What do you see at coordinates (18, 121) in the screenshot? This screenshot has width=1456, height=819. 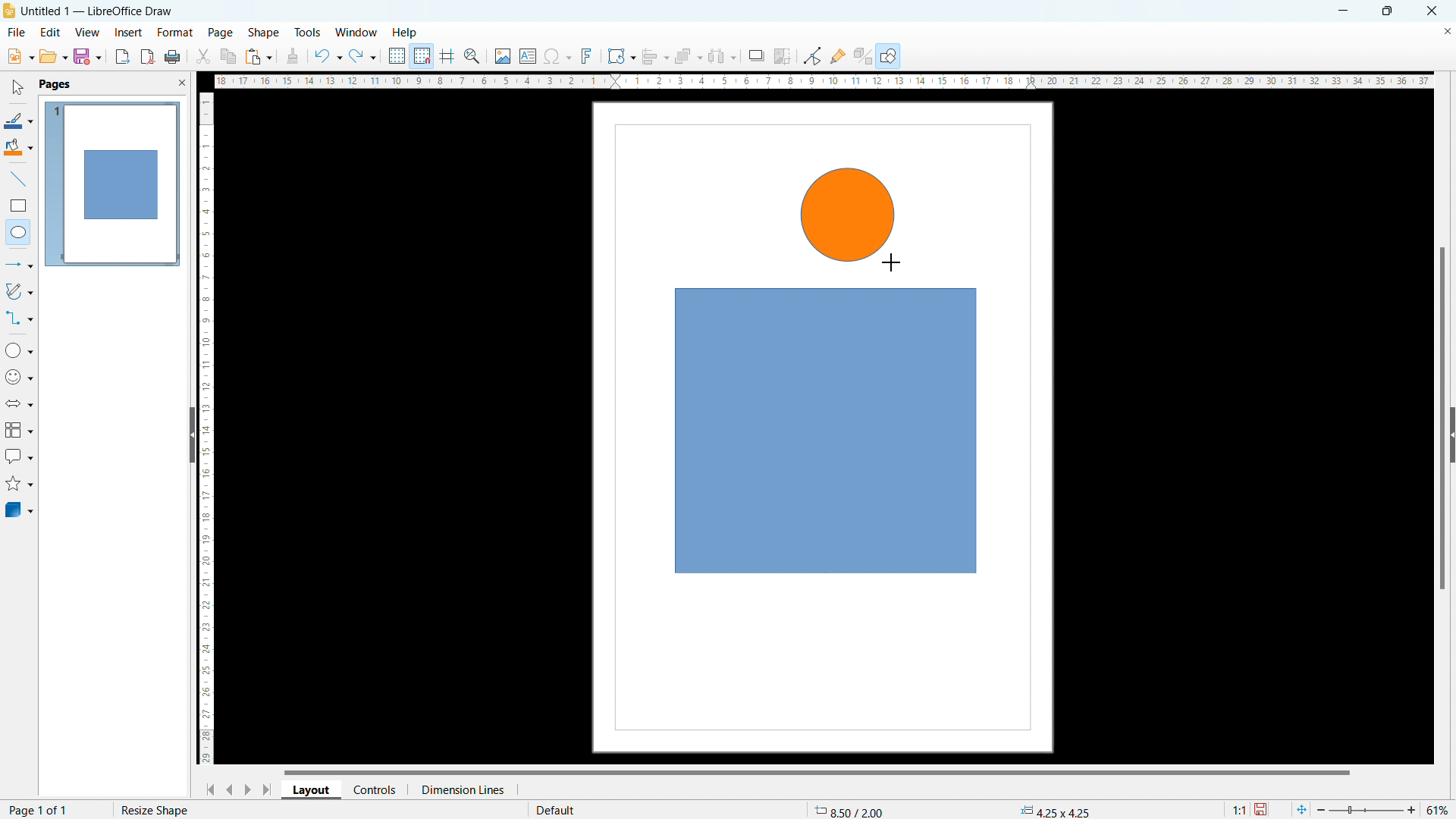 I see `line color` at bounding box center [18, 121].